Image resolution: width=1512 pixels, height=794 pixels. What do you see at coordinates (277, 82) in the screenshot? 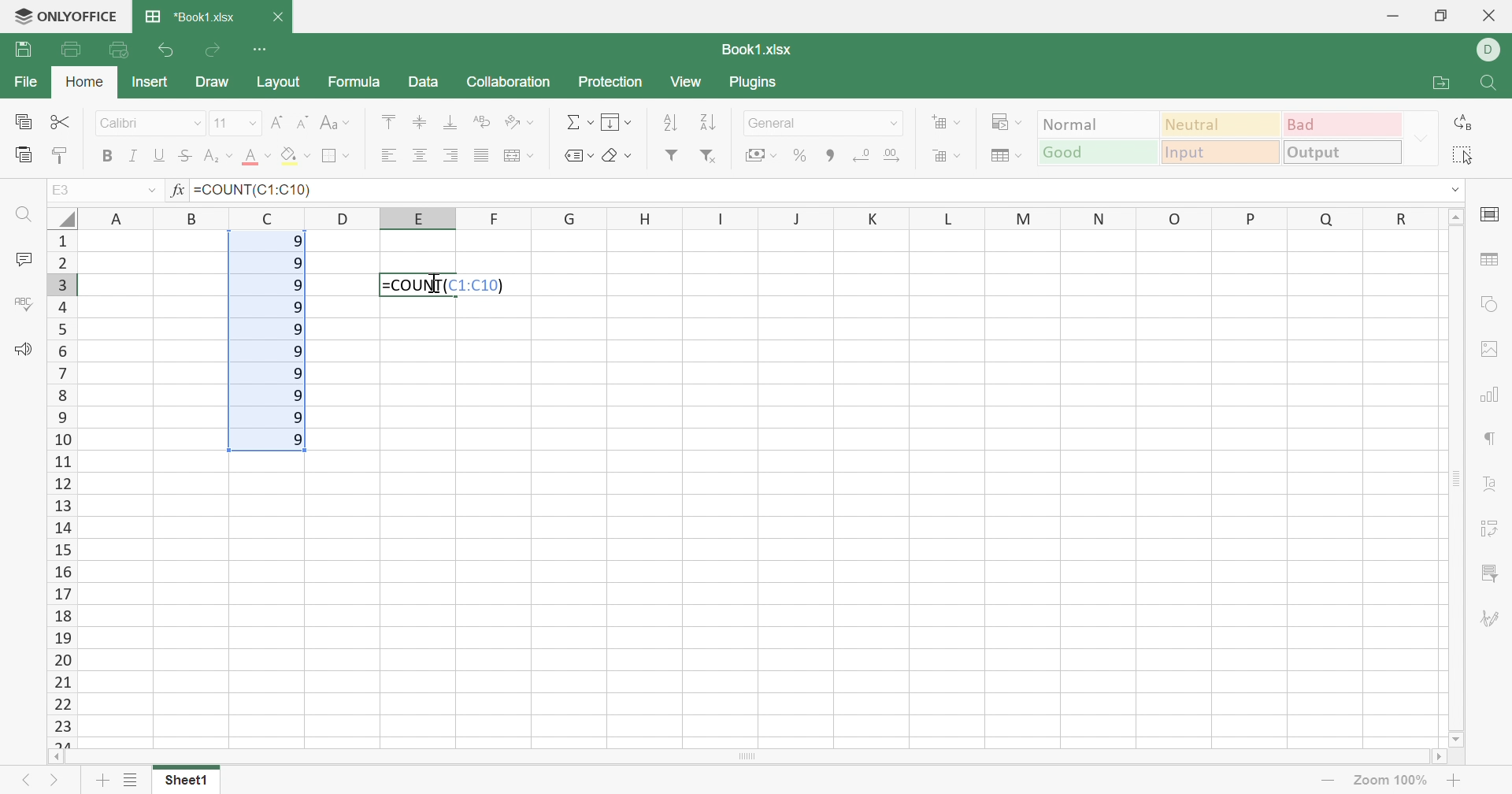
I see `Layout` at bounding box center [277, 82].